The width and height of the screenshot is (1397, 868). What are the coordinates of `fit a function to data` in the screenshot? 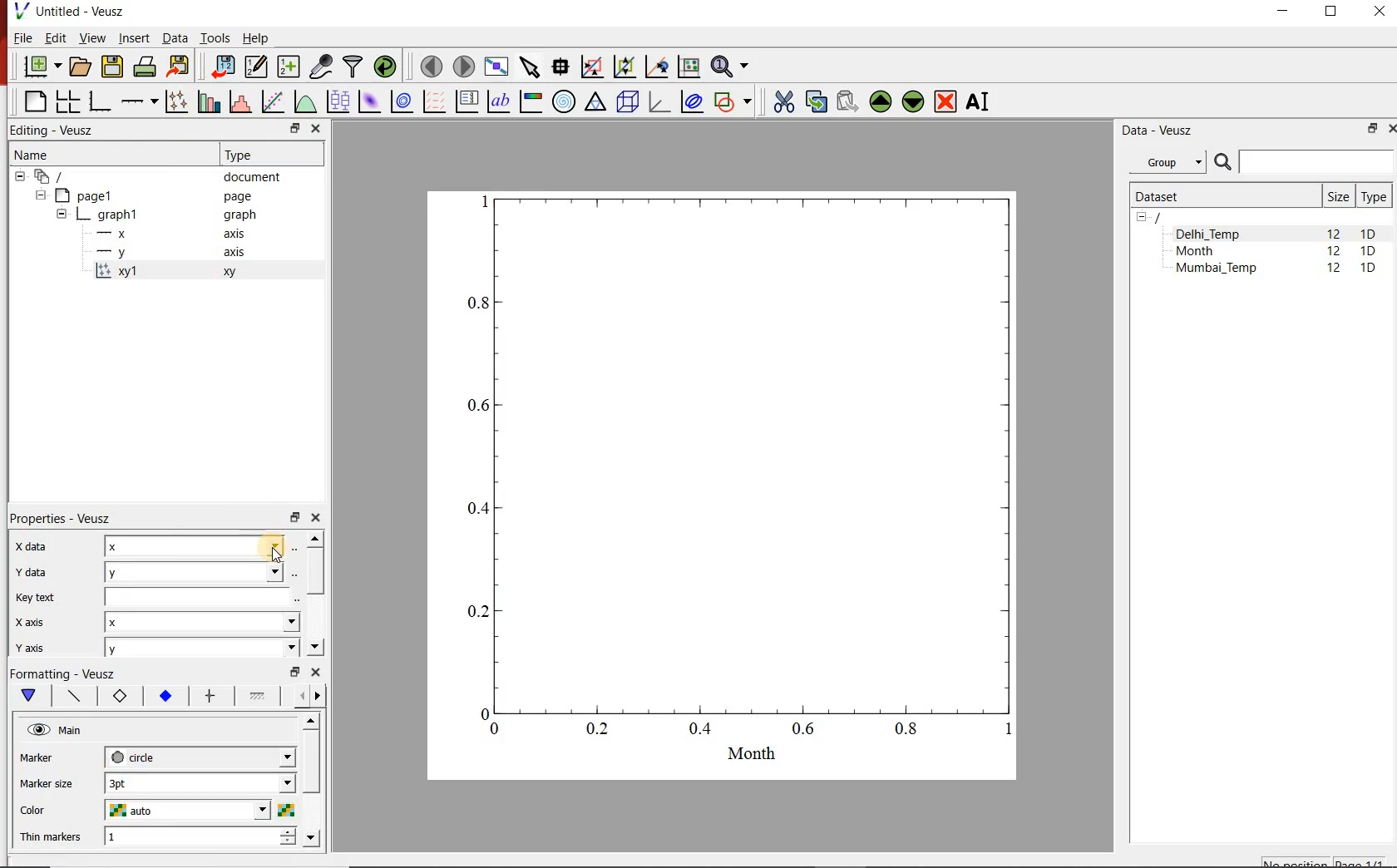 It's located at (272, 101).